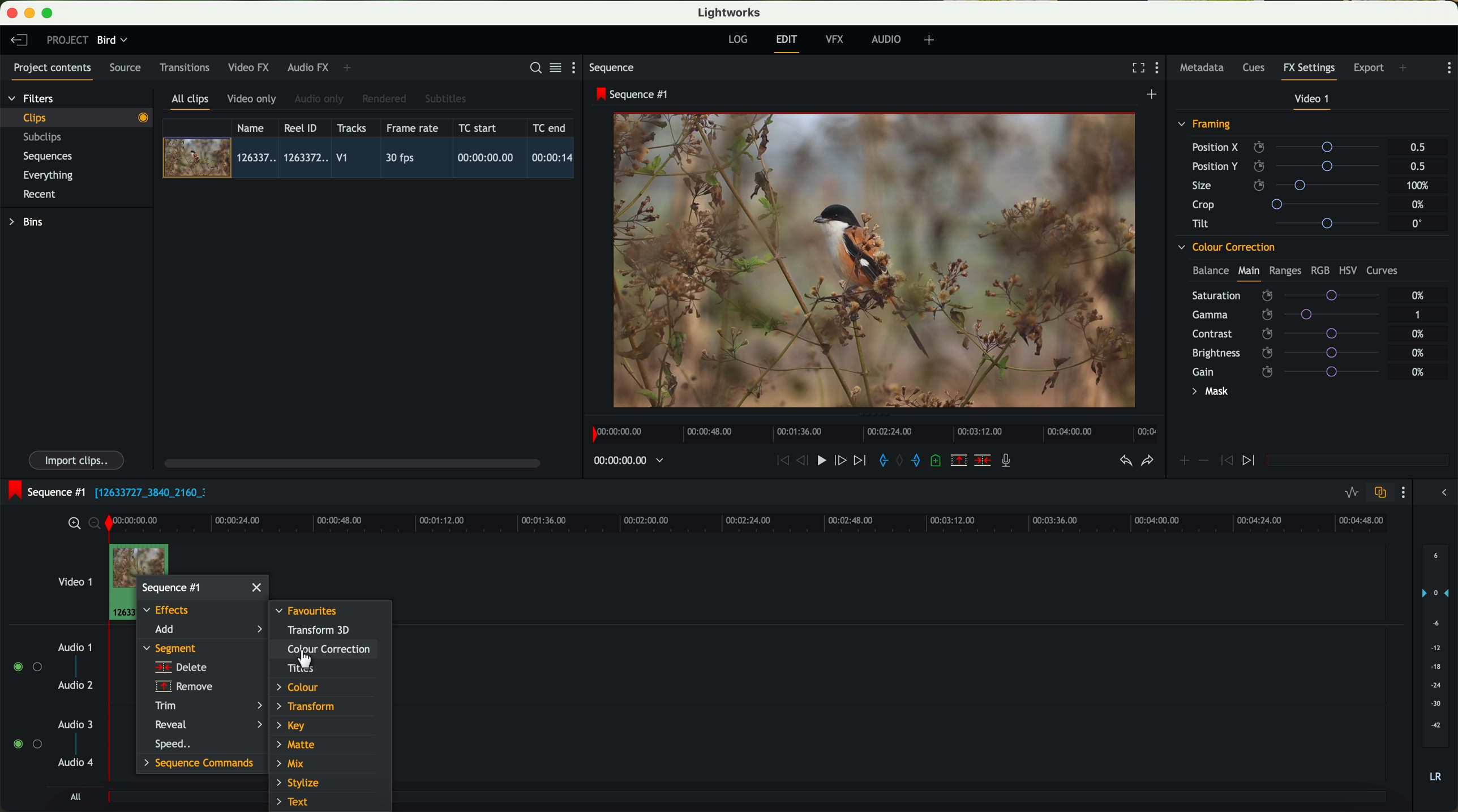 Image resolution: width=1458 pixels, height=812 pixels. I want to click on speed, so click(171, 744).